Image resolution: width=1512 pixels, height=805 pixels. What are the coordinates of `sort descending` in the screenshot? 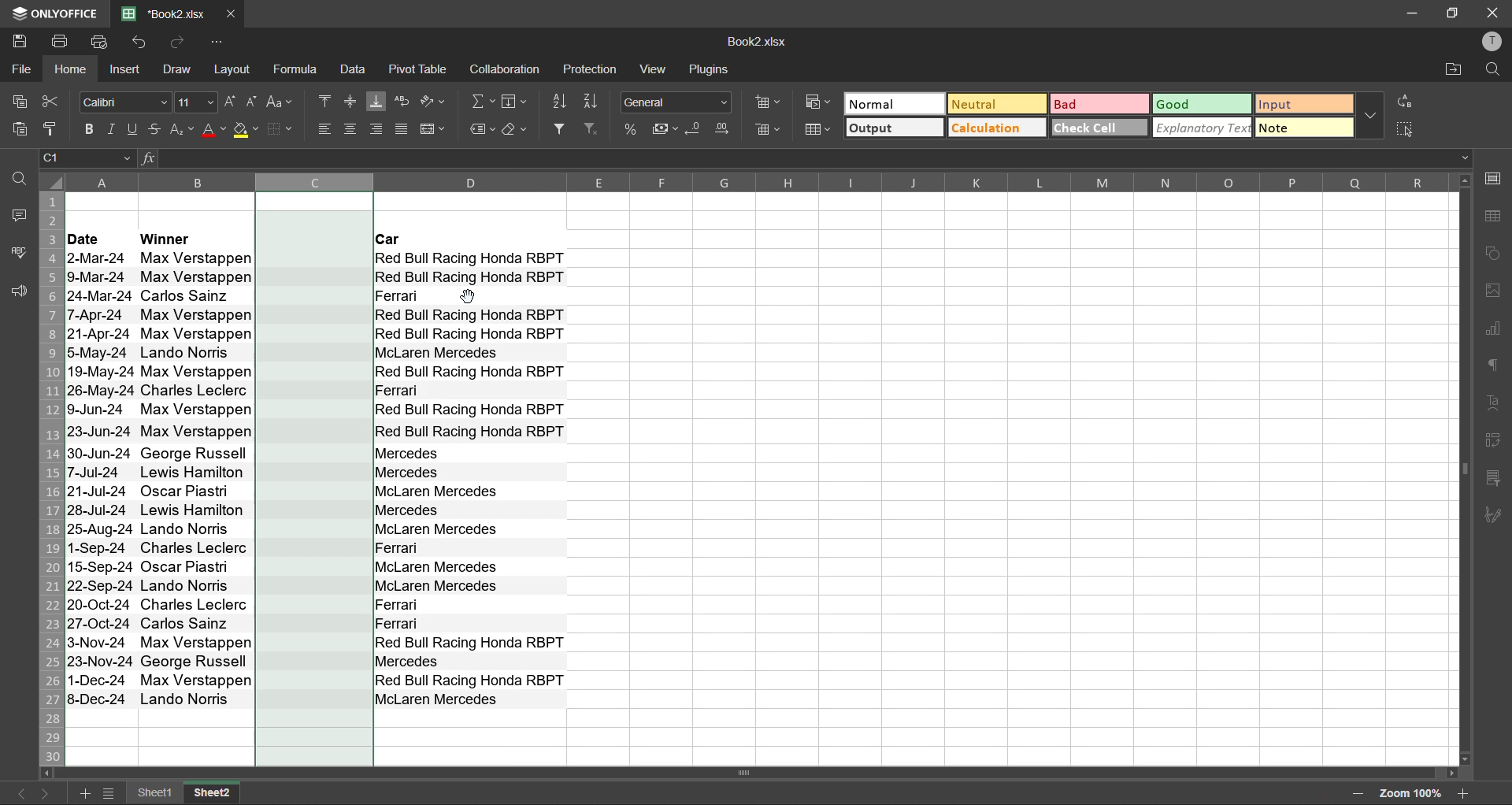 It's located at (593, 102).